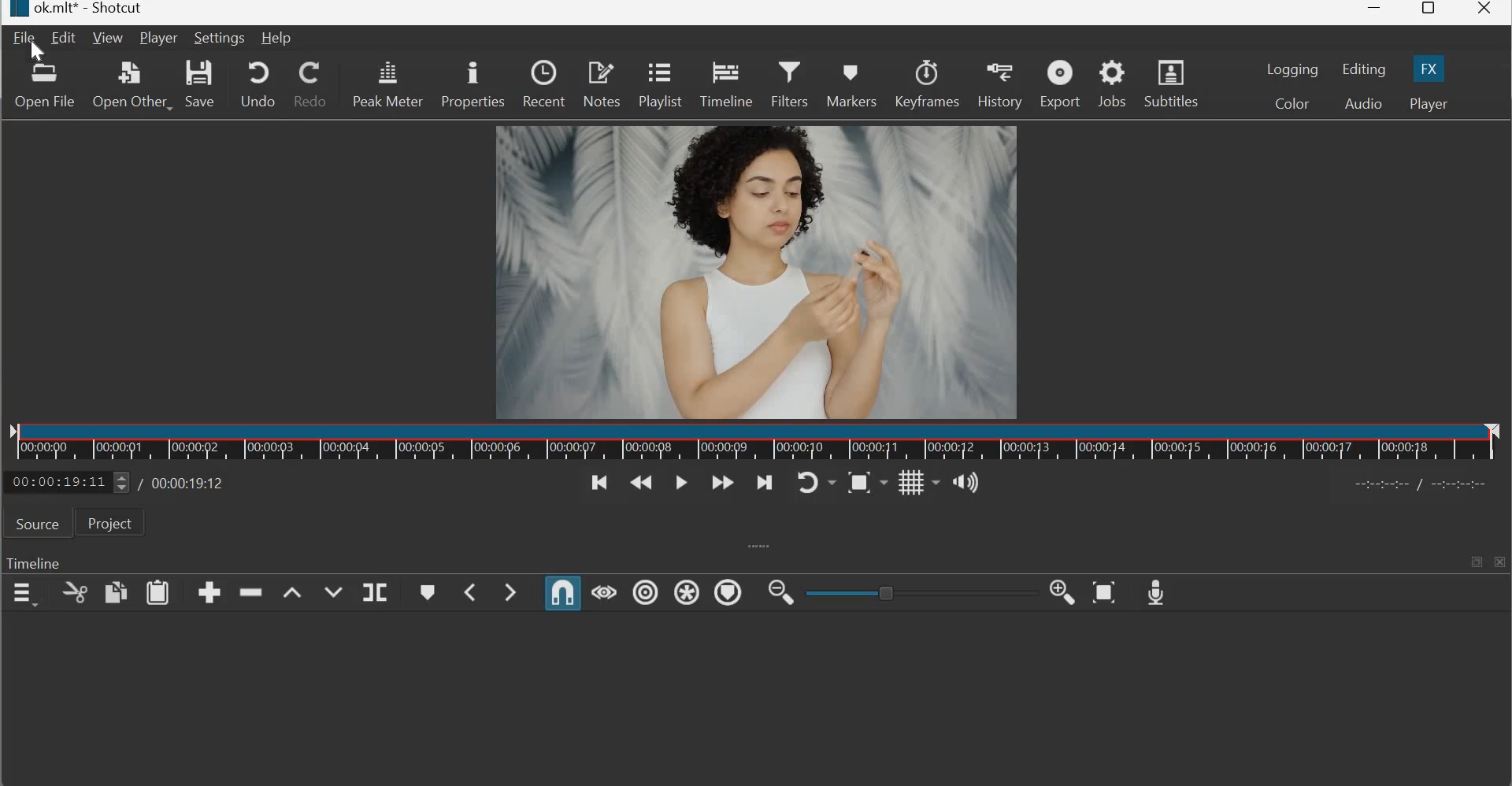 The height and width of the screenshot is (786, 1512). I want to click on lift, so click(294, 592).